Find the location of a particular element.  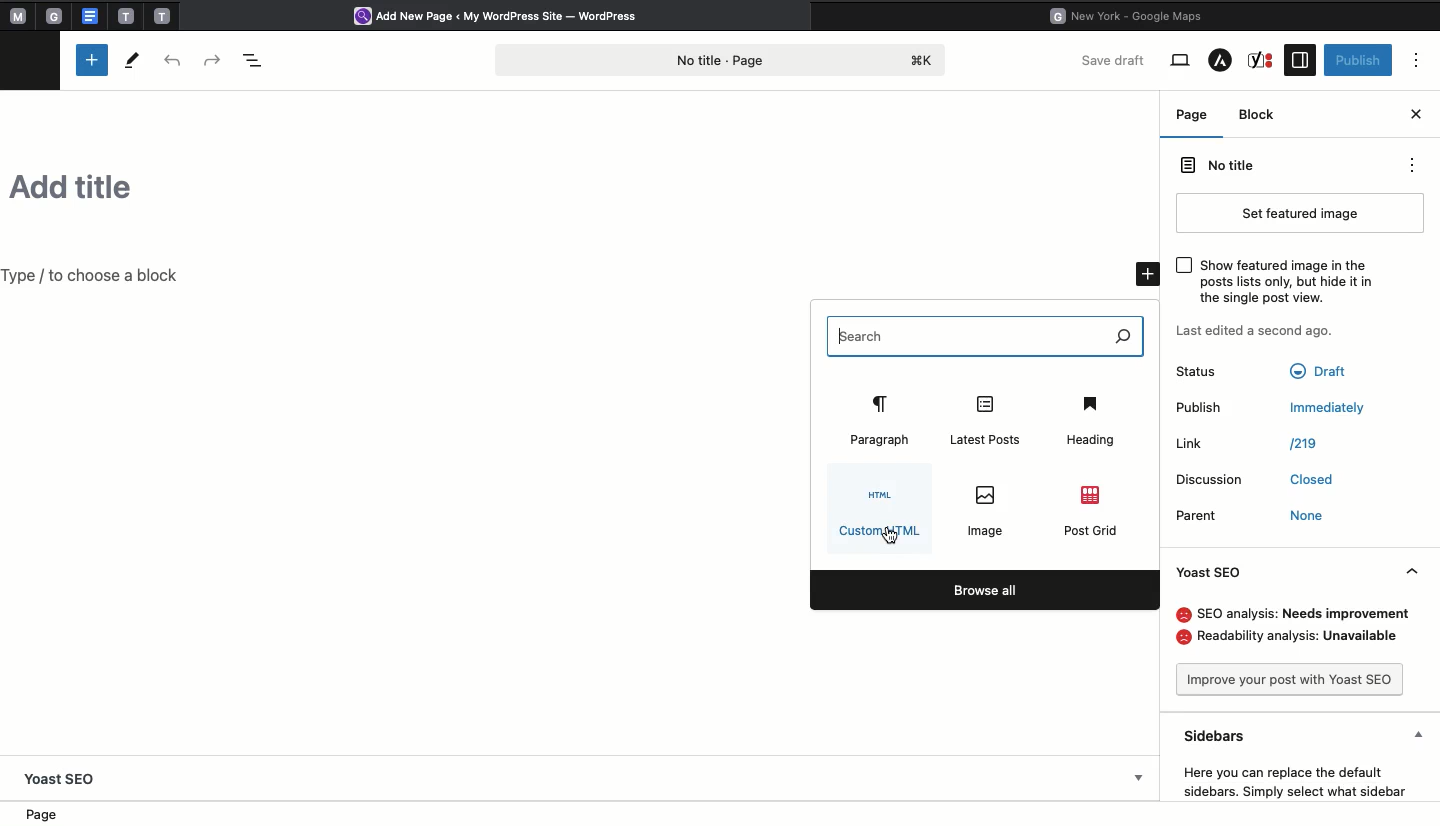

Astra is located at coordinates (1220, 62).